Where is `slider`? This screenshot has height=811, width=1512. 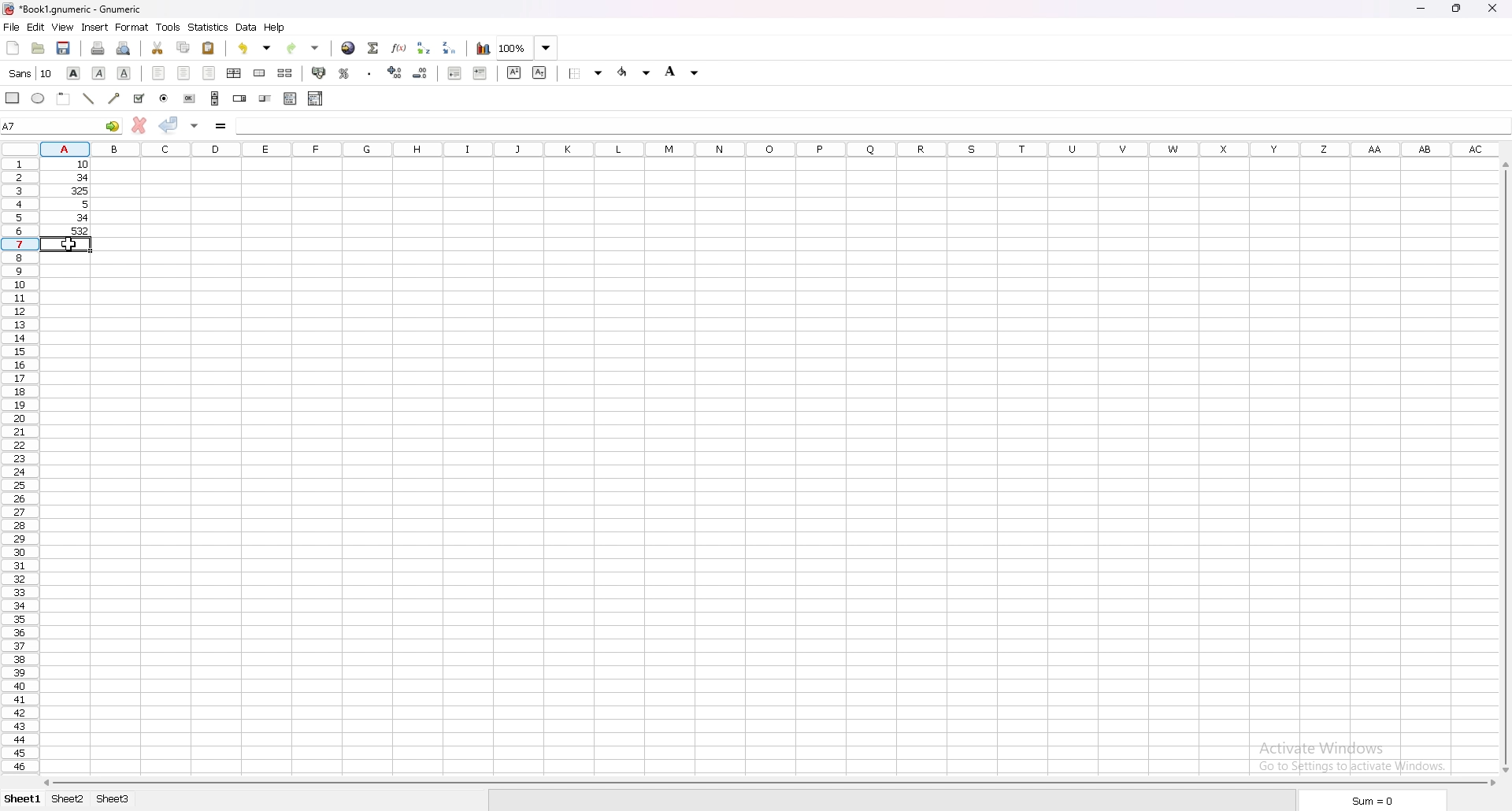
slider is located at coordinates (265, 98).